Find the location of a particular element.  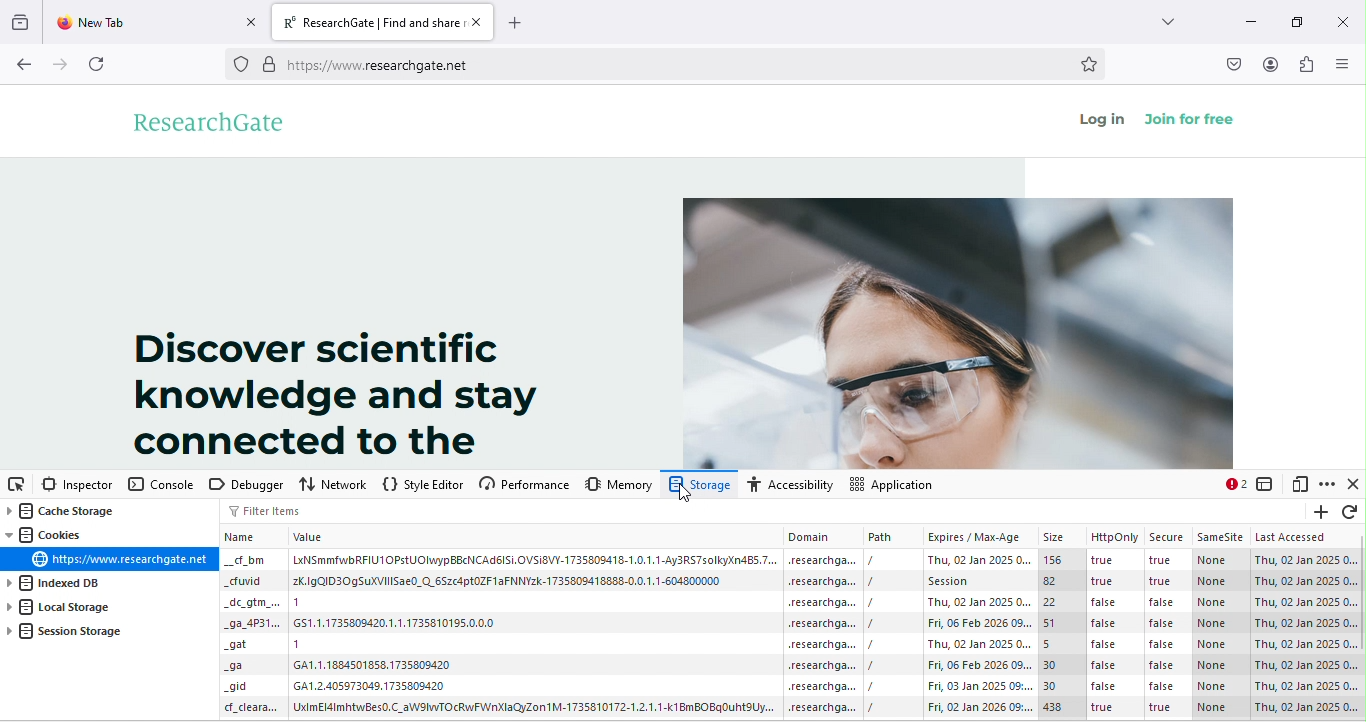

domain is located at coordinates (822, 666).